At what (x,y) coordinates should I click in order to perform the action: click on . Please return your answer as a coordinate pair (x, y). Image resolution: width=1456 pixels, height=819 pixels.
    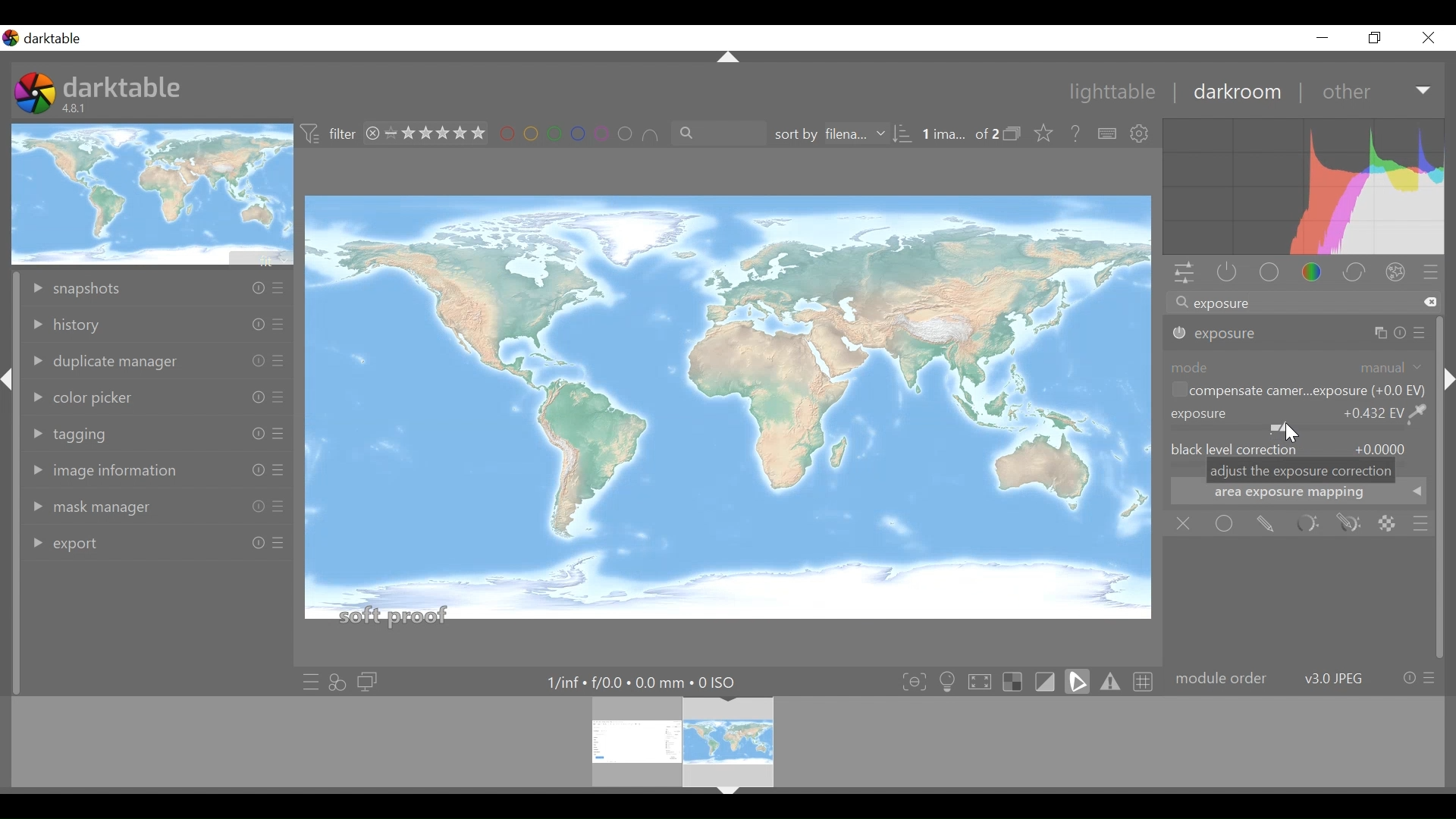
    Looking at the image, I should click on (278, 290).